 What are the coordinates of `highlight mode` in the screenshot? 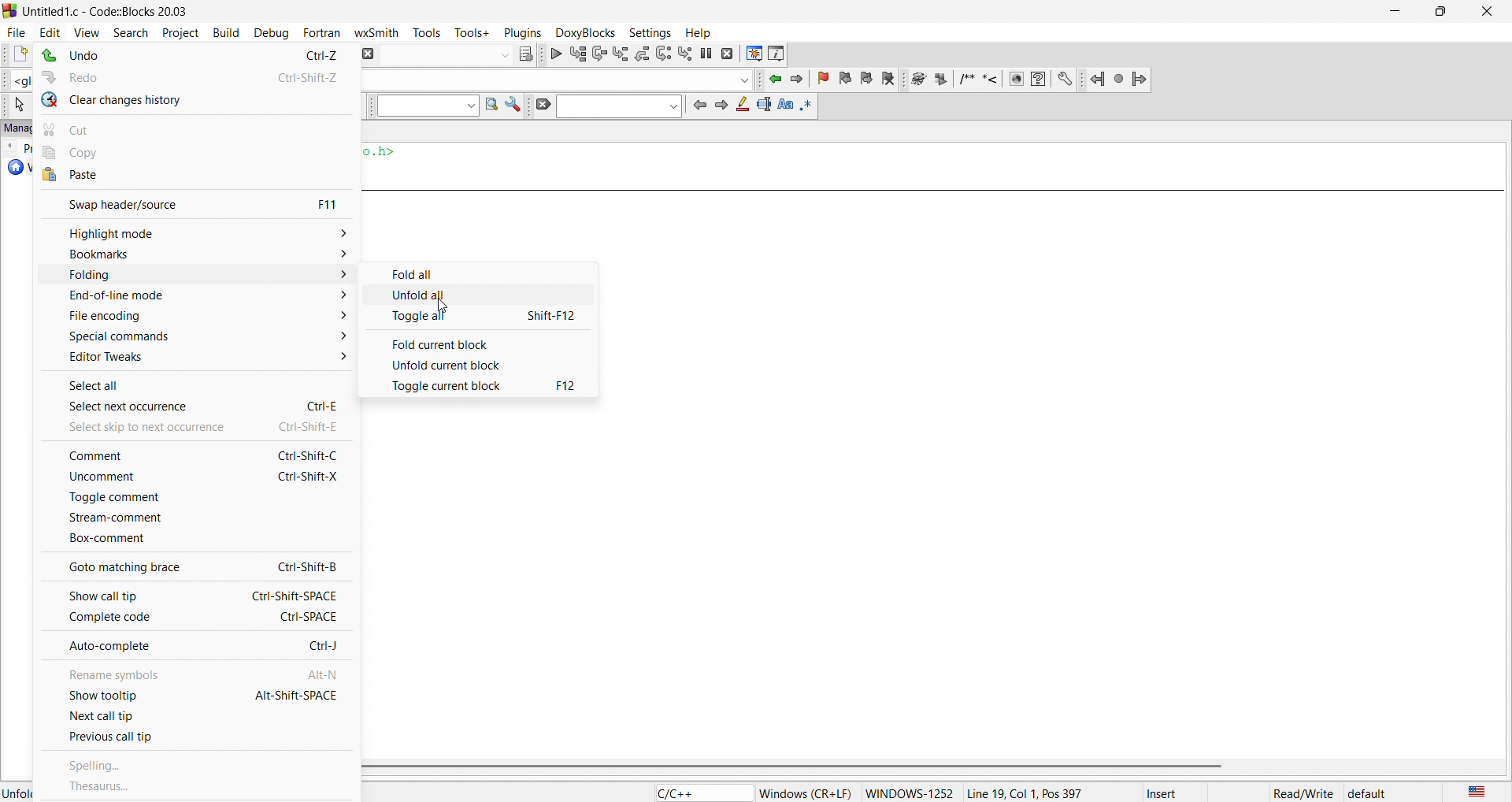 It's located at (194, 232).